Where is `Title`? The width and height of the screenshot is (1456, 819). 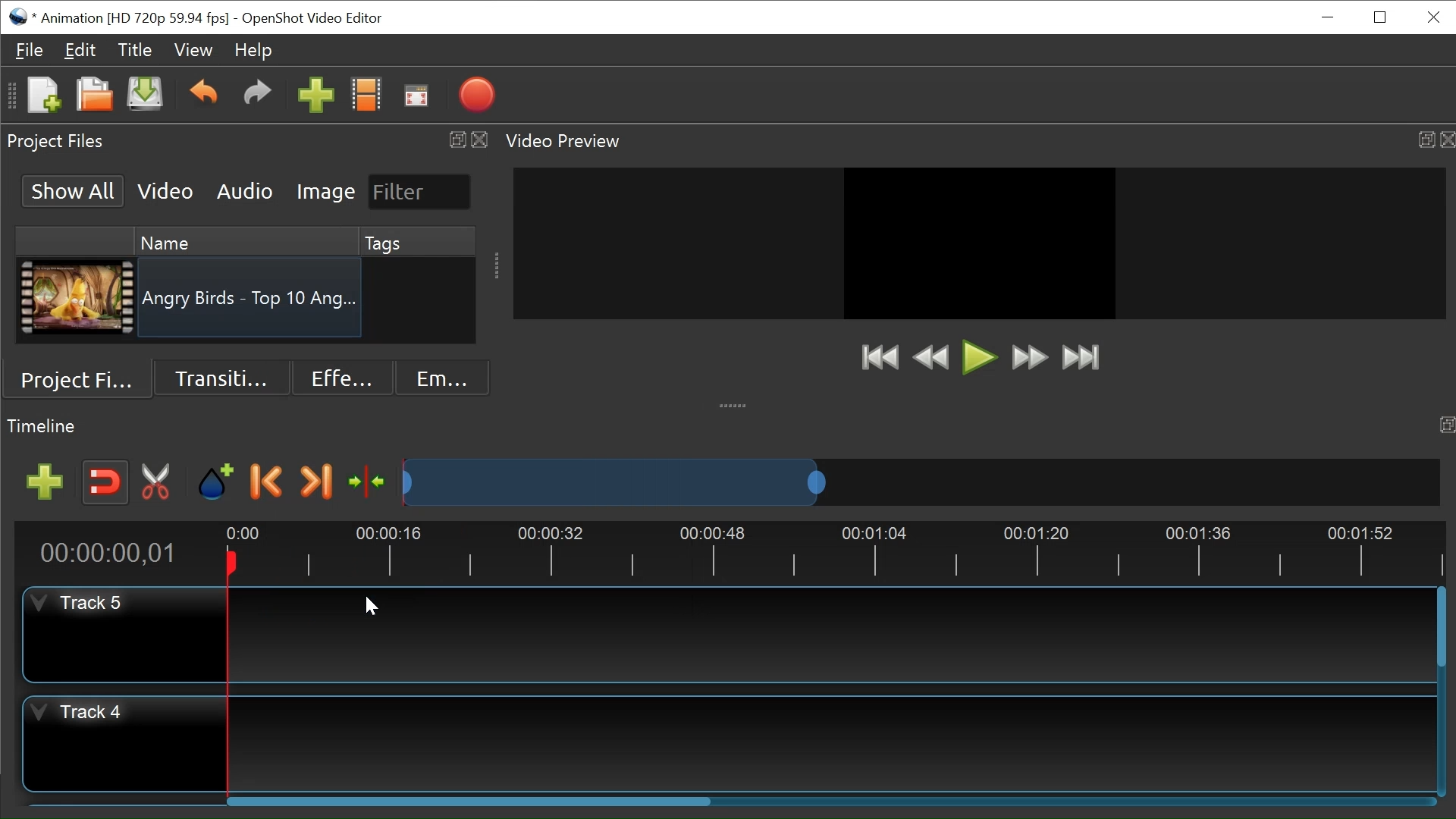 Title is located at coordinates (135, 50).